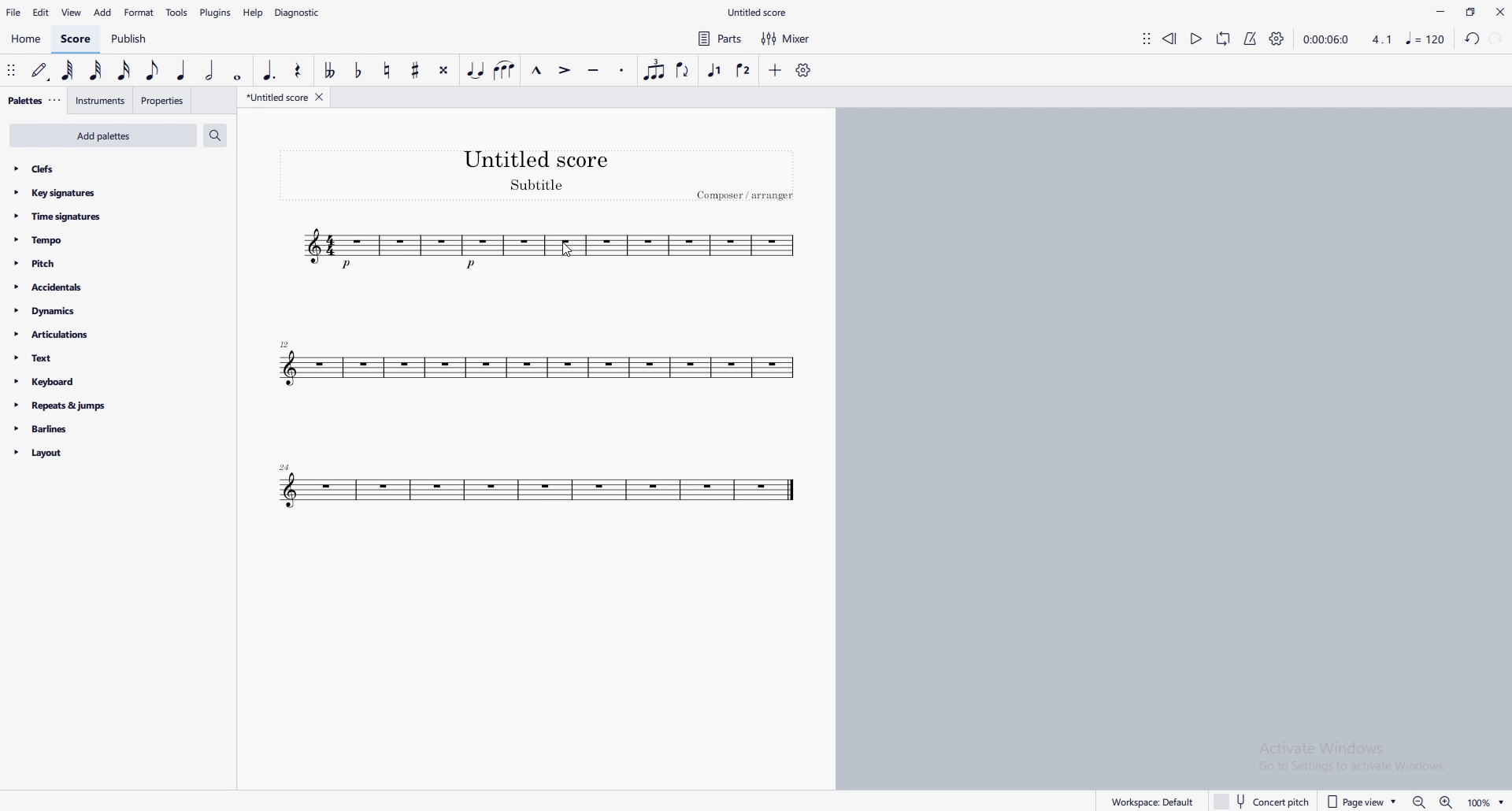 The image size is (1512, 811). I want to click on voice 1, so click(716, 69).